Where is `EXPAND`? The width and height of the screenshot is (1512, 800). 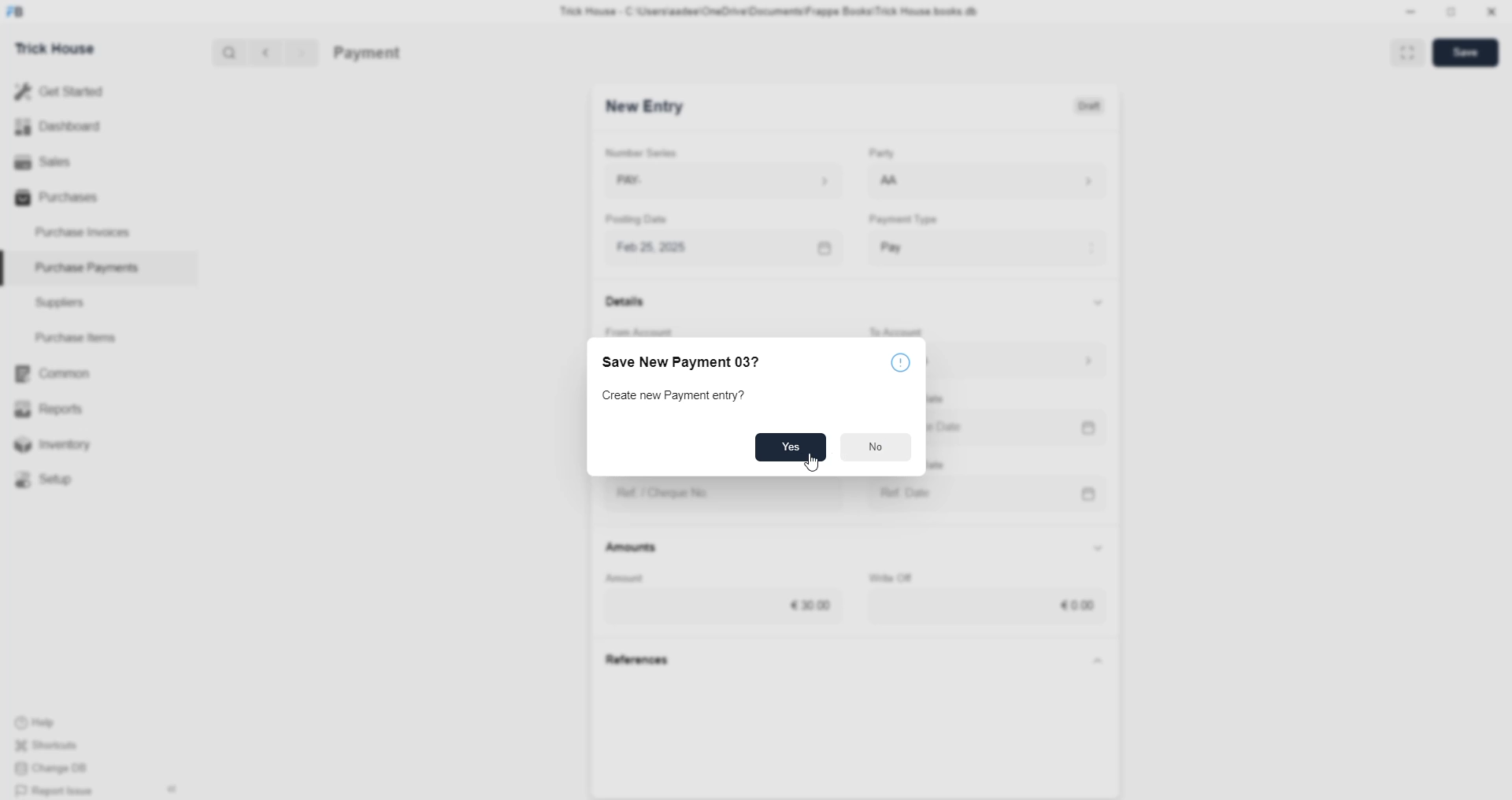 EXPAND is located at coordinates (1410, 51).